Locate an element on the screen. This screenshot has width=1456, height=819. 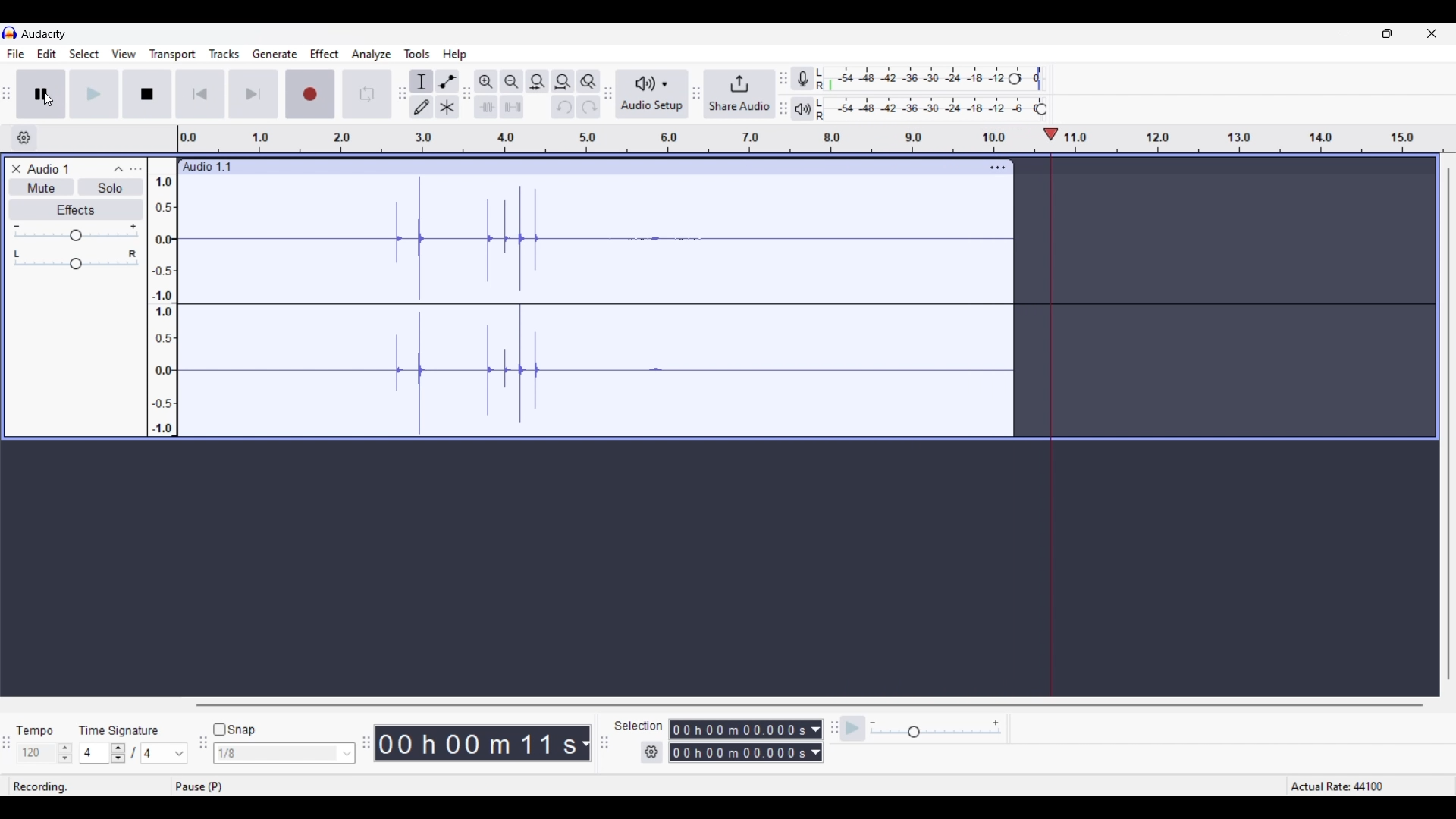
Horizontal slide bar is located at coordinates (808, 706).